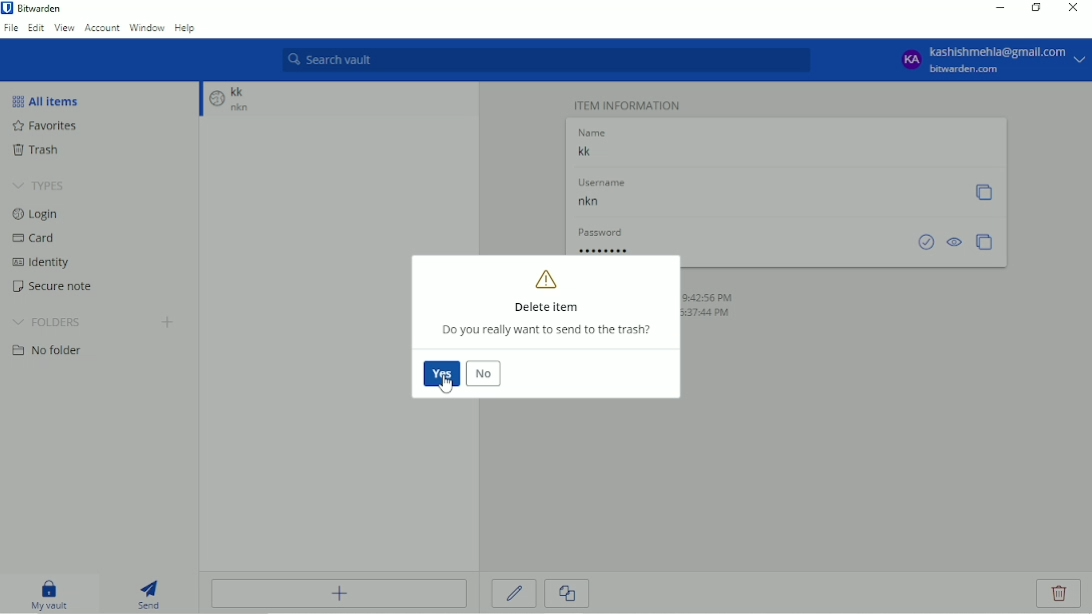 The image size is (1092, 614). I want to click on ITEM INFORMATION, so click(629, 104).